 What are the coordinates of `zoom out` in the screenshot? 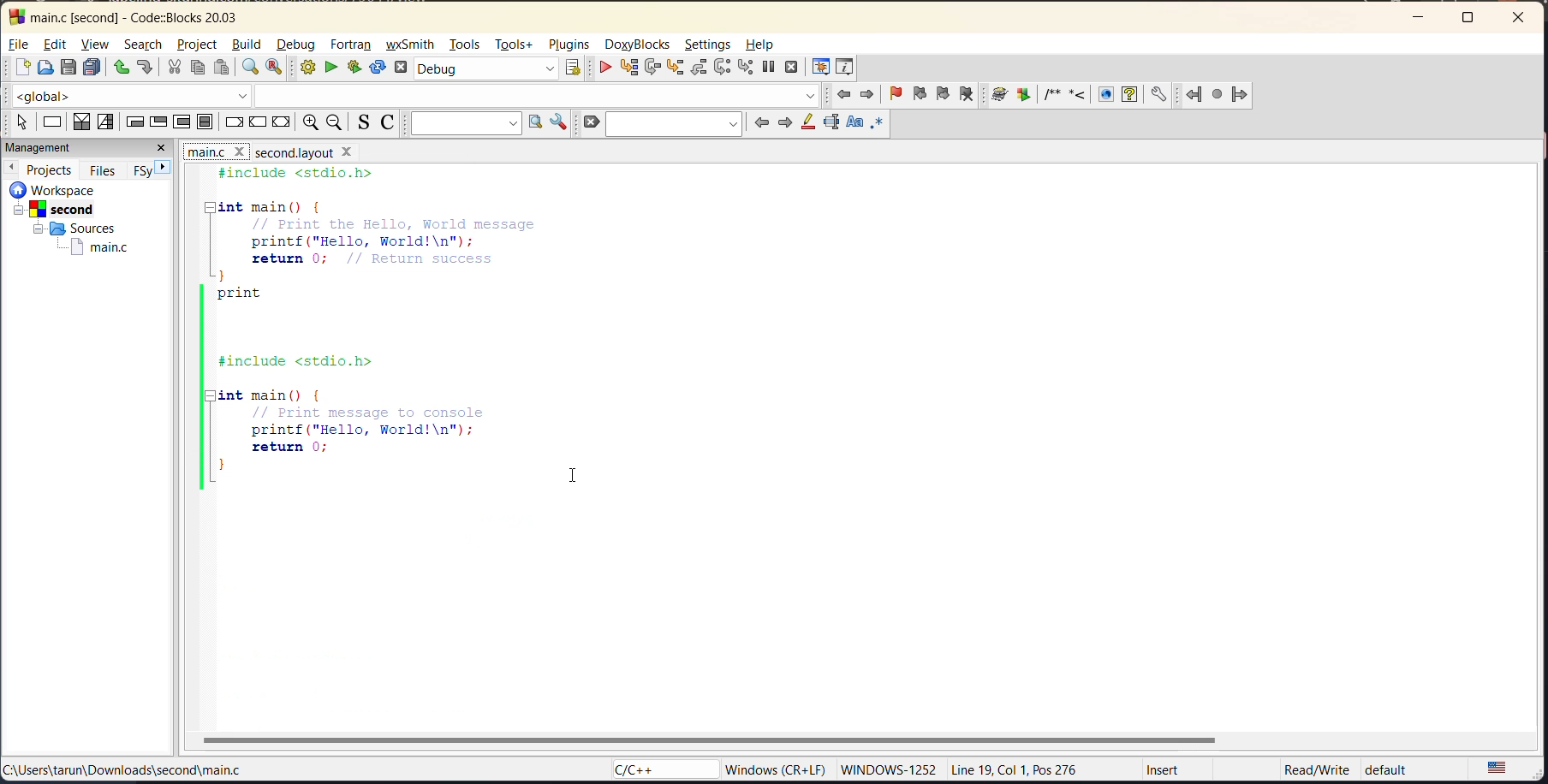 It's located at (334, 122).